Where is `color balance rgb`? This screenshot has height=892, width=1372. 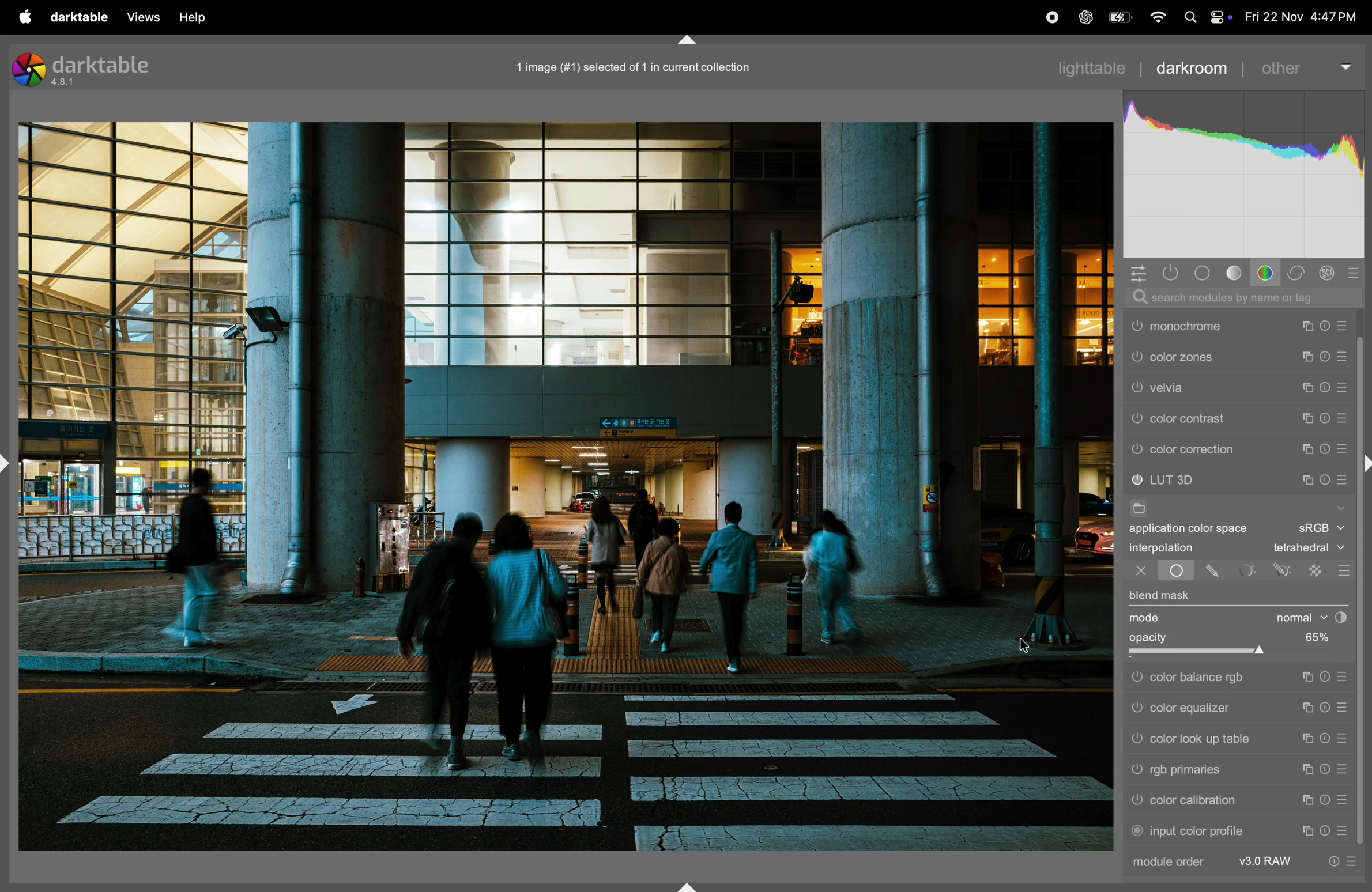
color balance rgb is located at coordinates (1211, 678).